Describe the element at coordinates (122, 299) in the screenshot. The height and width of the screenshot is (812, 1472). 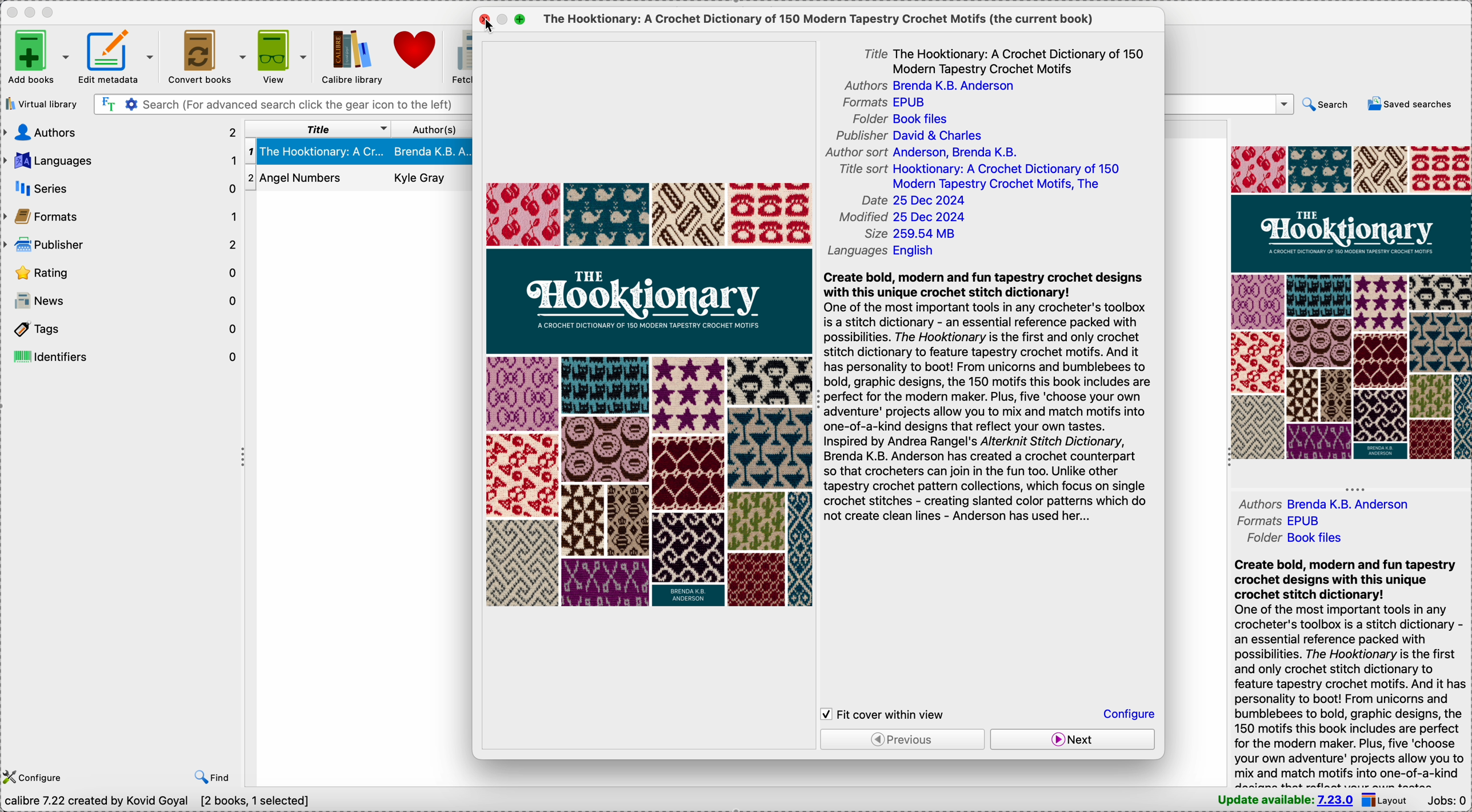
I see `news` at that location.